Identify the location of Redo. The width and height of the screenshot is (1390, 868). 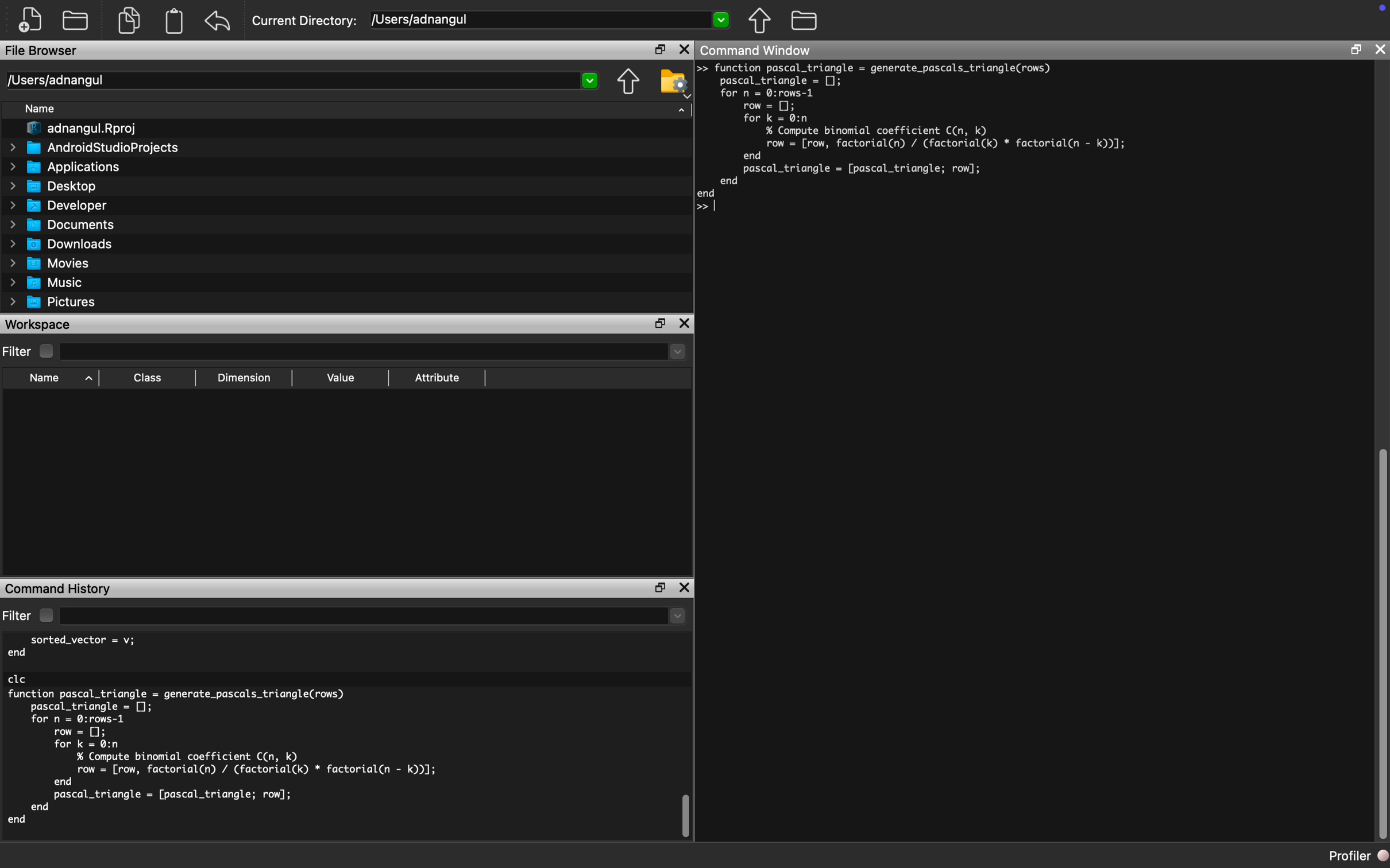
(219, 22).